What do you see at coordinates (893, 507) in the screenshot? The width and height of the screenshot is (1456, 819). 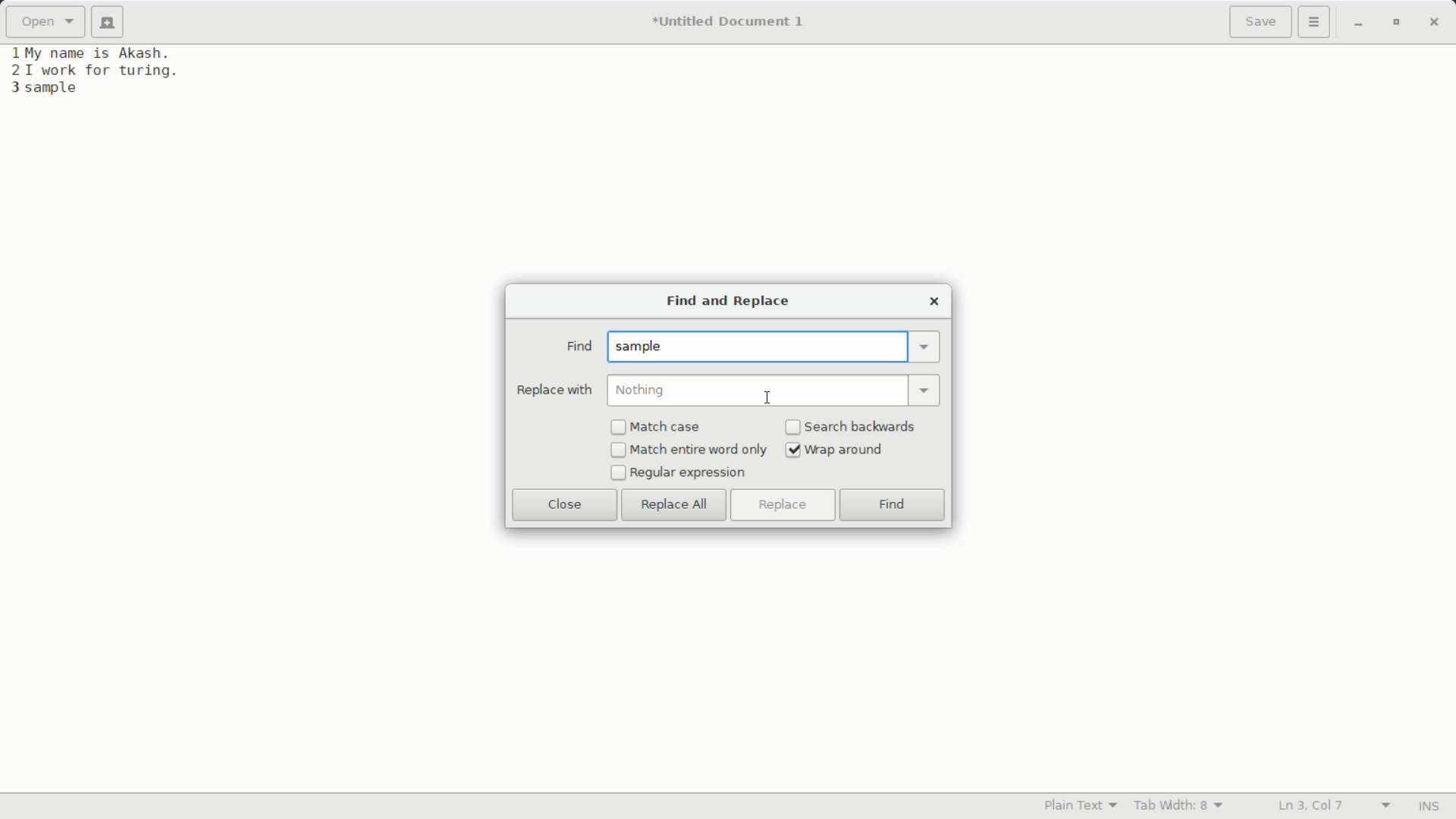 I see `find` at bounding box center [893, 507].